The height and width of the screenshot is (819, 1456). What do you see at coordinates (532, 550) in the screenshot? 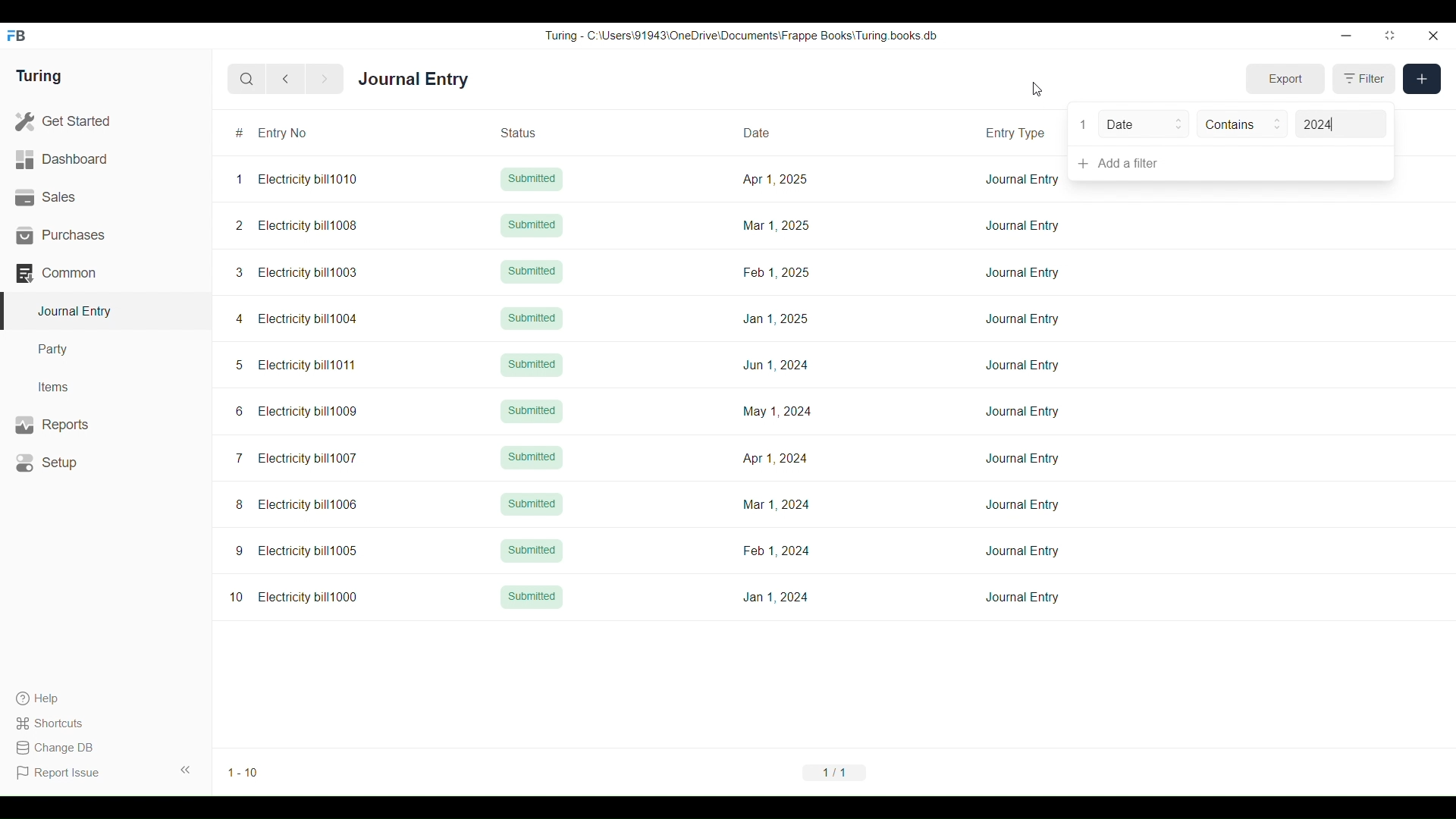
I see `Submitted` at bounding box center [532, 550].